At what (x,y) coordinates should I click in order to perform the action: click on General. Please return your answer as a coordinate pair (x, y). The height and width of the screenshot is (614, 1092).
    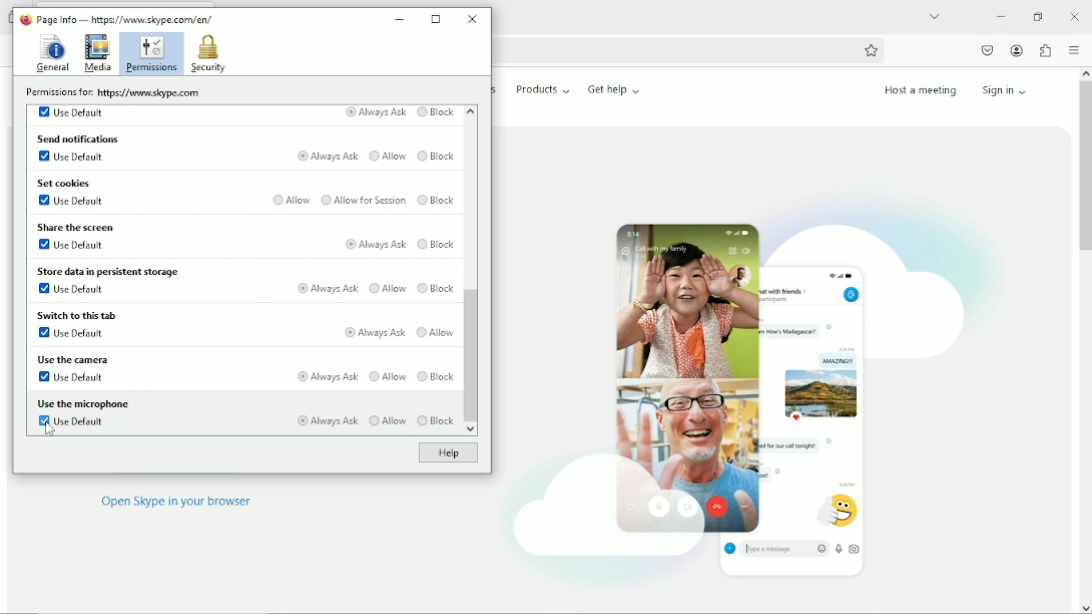
    Looking at the image, I should click on (51, 54).